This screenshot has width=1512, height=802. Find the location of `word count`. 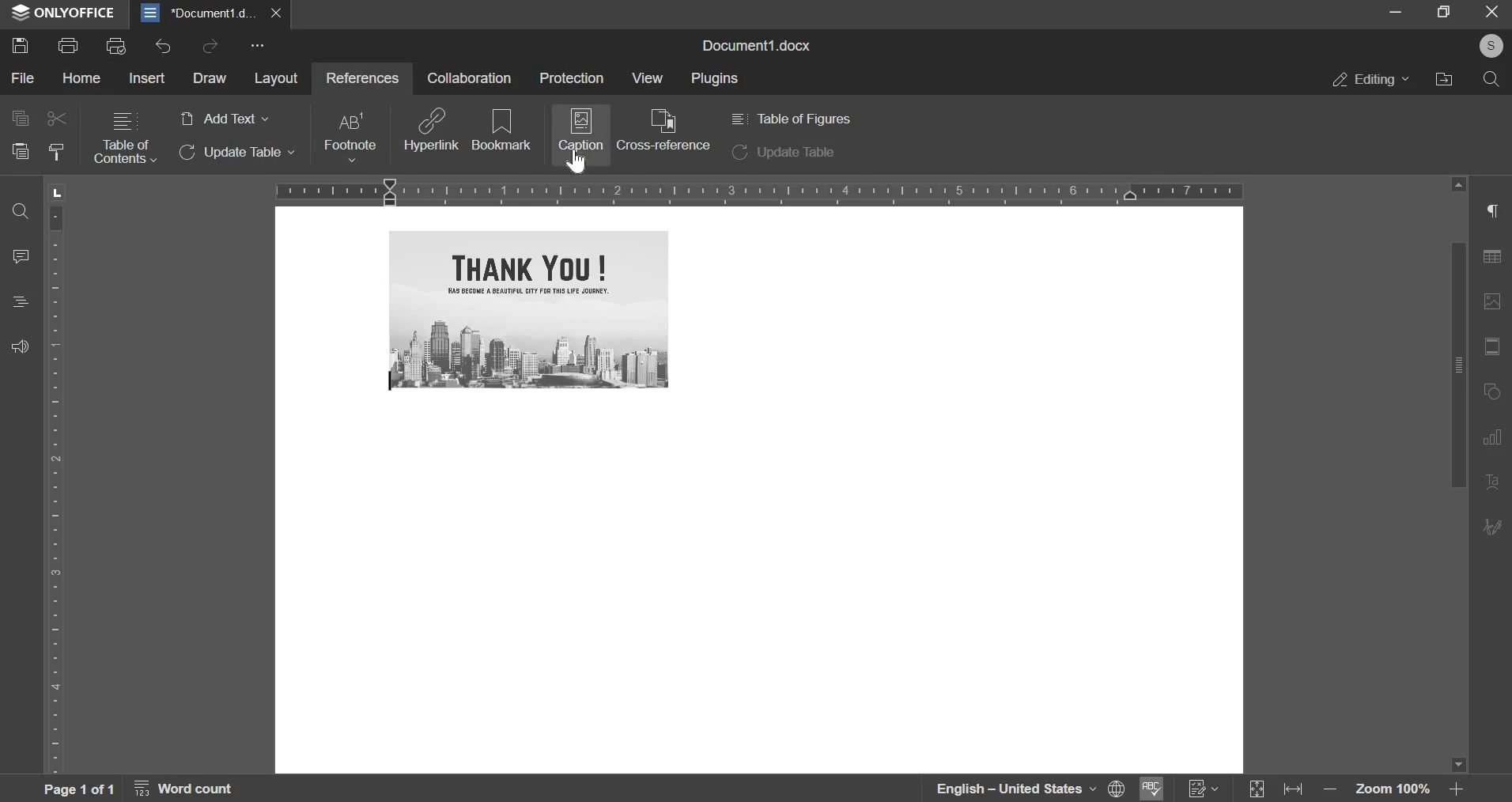

word count is located at coordinates (193, 791).